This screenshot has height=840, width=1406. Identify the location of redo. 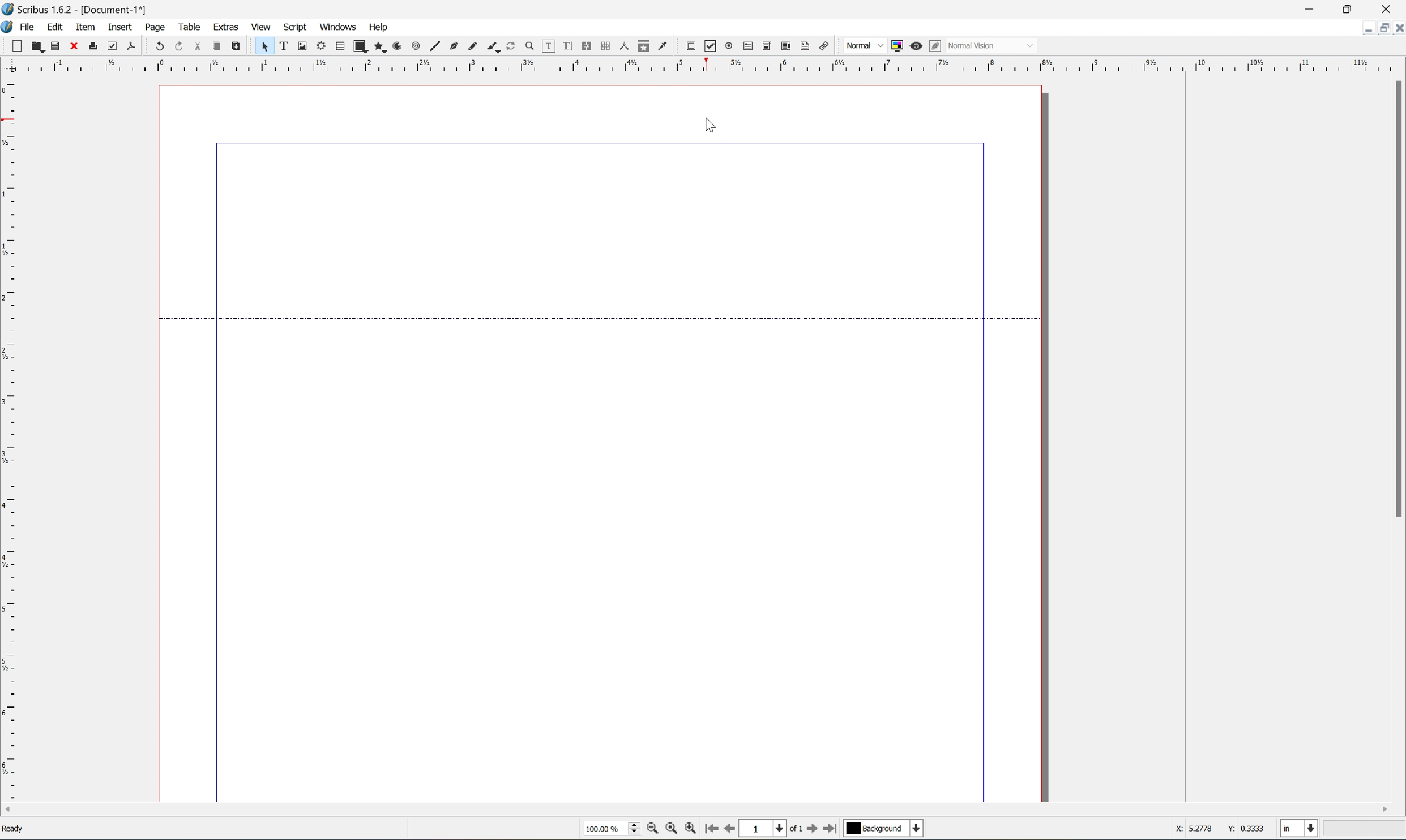
(182, 45).